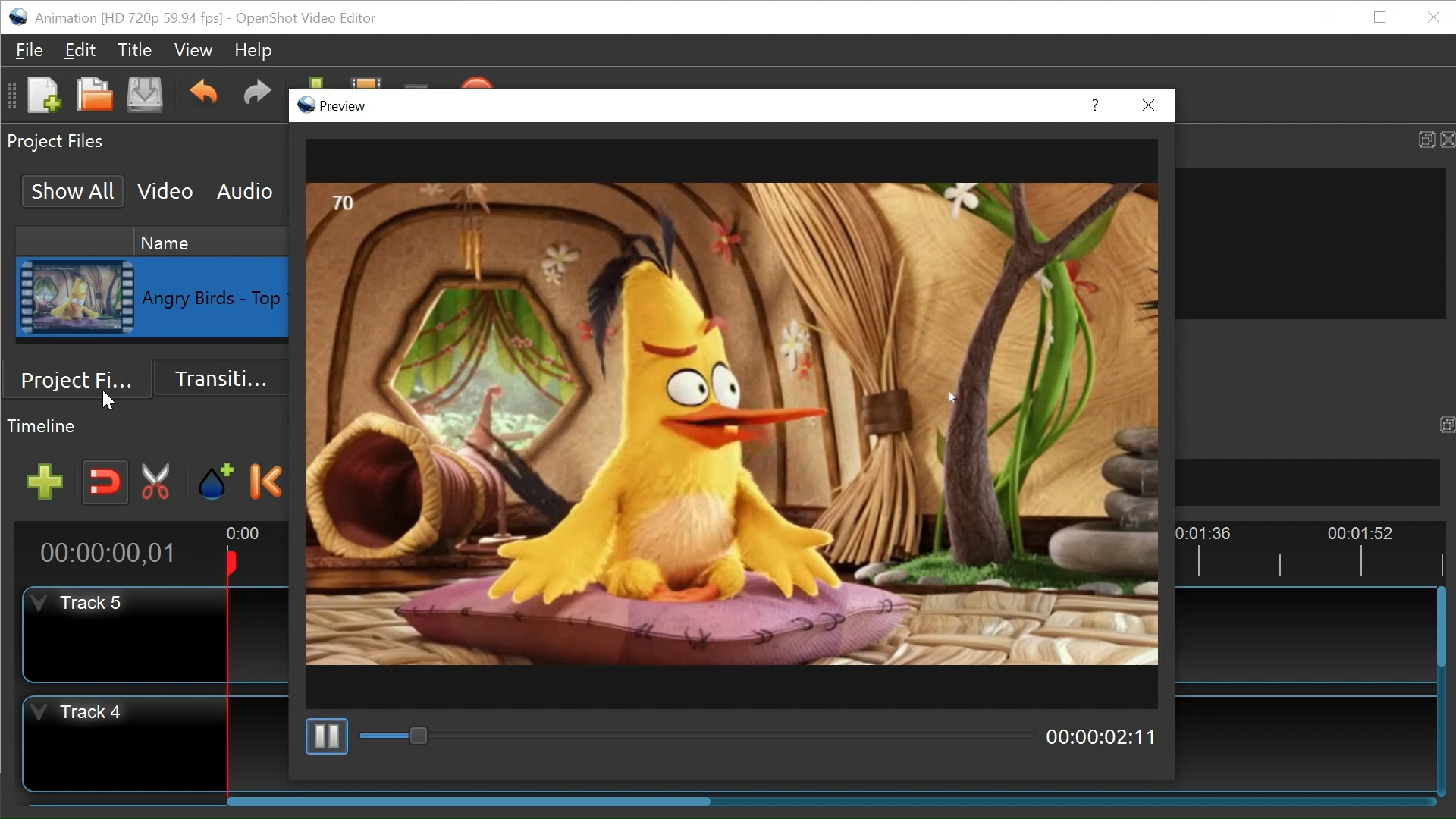 This screenshot has height=819, width=1456. Describe the element at coordinates (212, 243) in the screenshot. I see `Name` at that location.